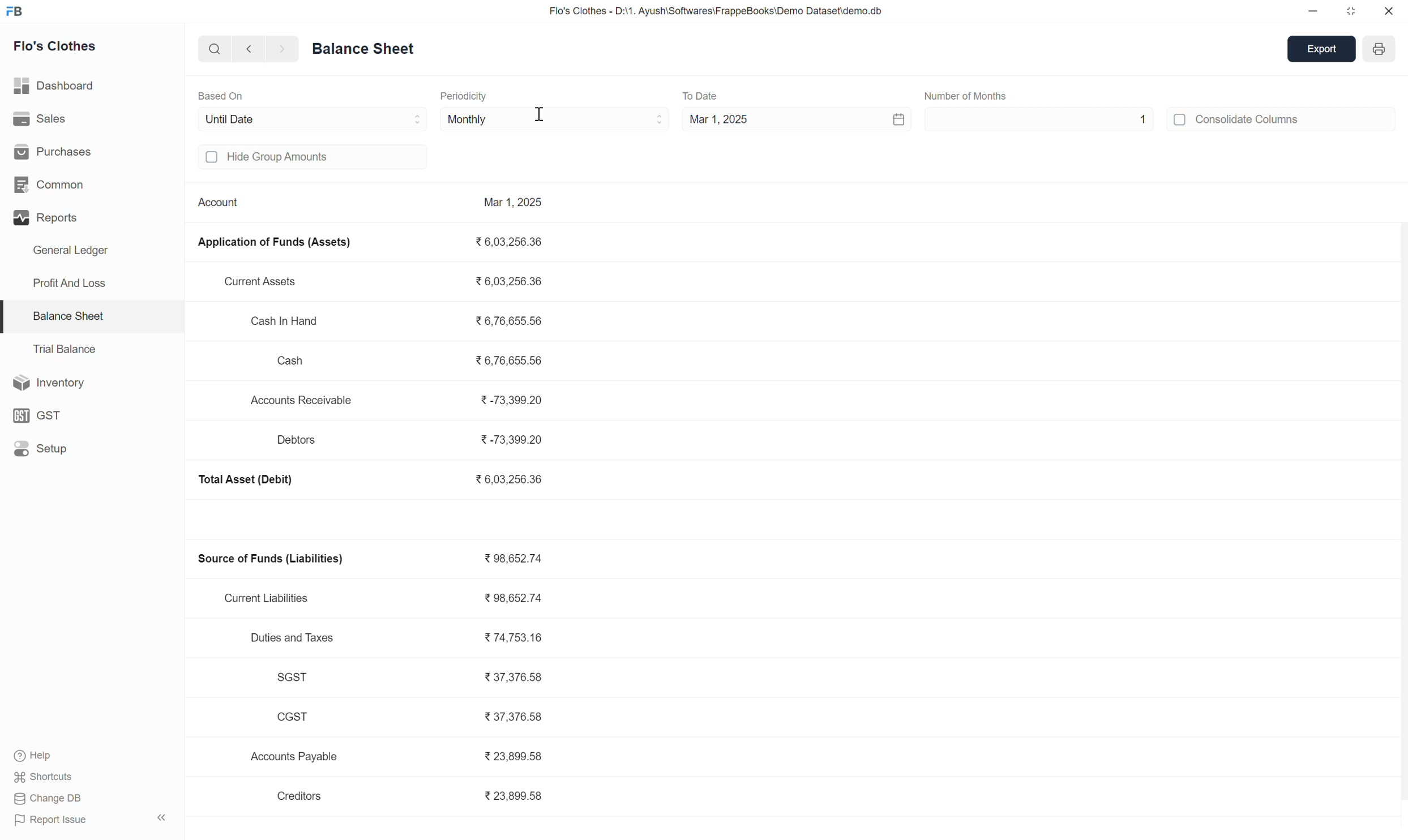  What do you see at coordinates (41, 413) in the screenshot?
I see `GST` at bounding box center [41, 413].